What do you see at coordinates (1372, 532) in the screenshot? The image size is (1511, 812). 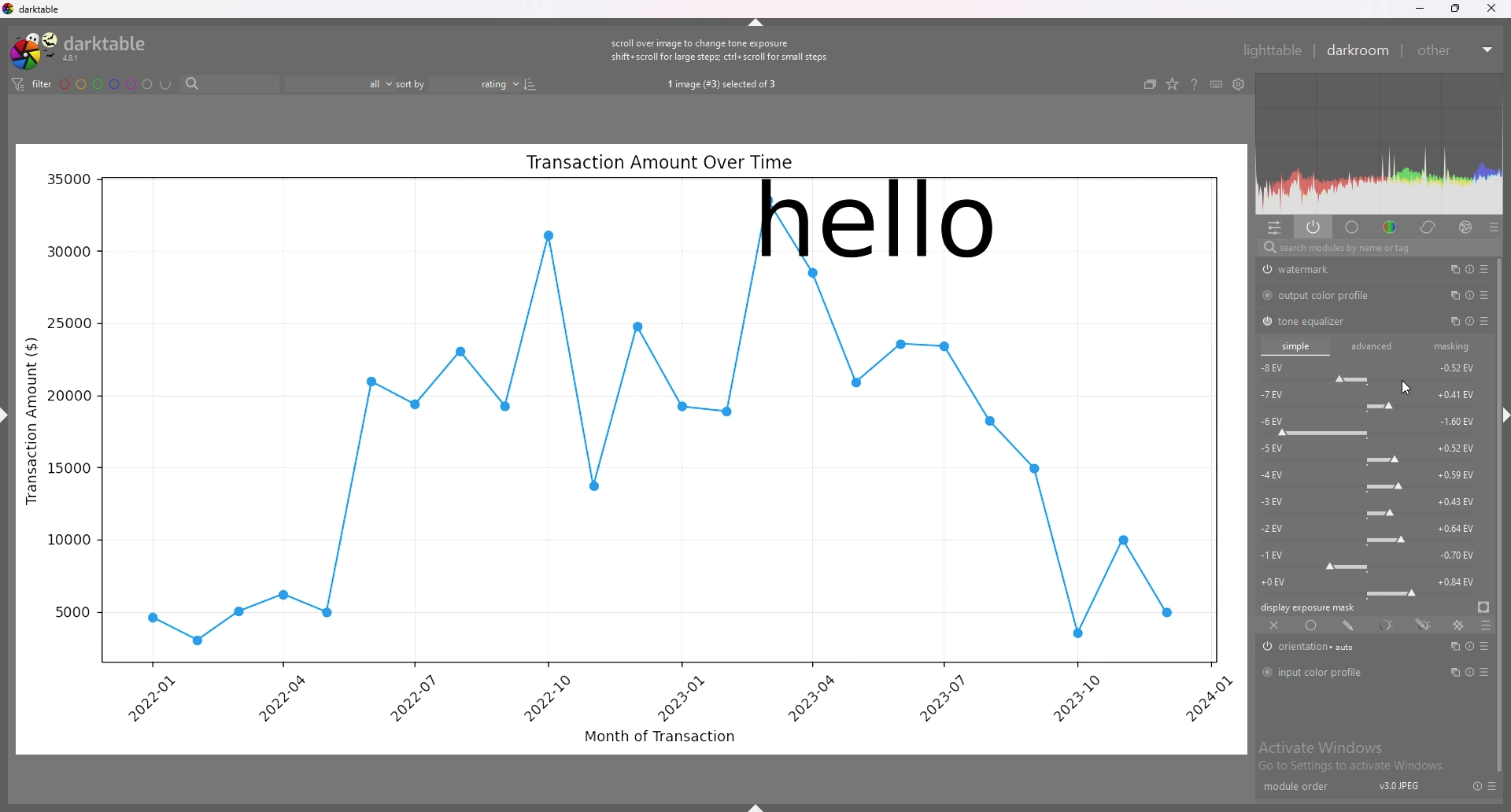 I see `-2 EV force` at bounding box center [1372, 532].